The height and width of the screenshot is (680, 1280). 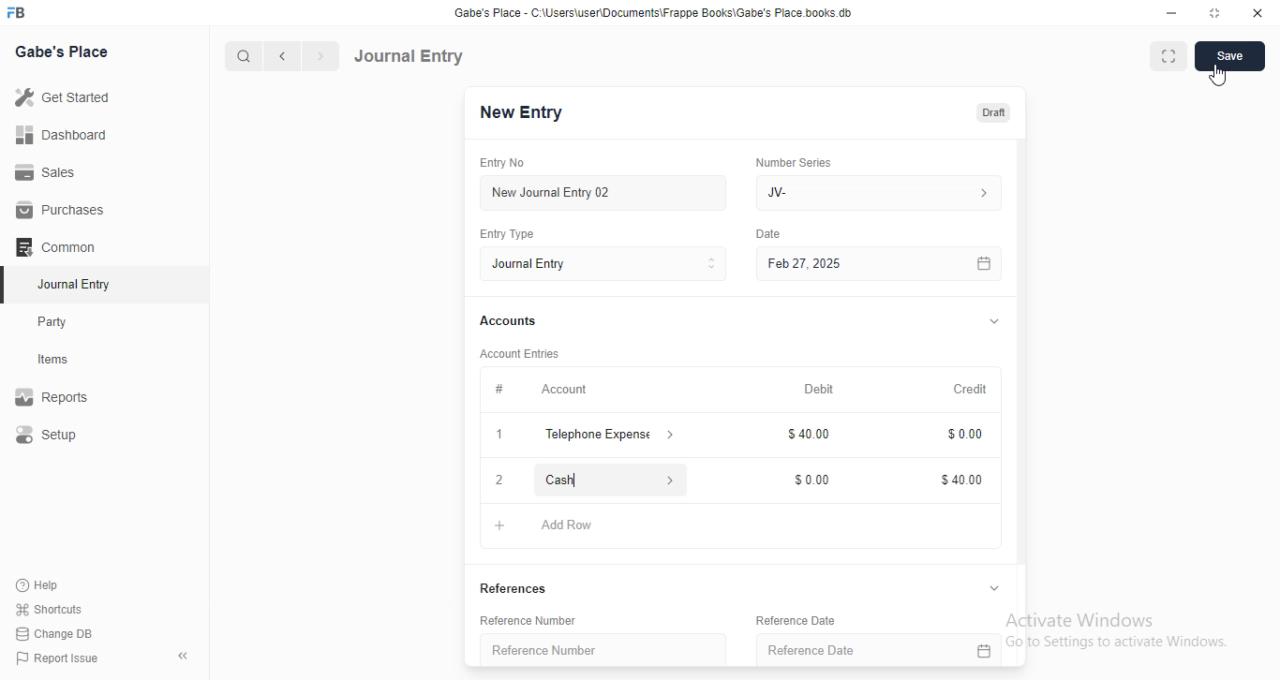 I want to click on 1, so click(x=499, y=435).